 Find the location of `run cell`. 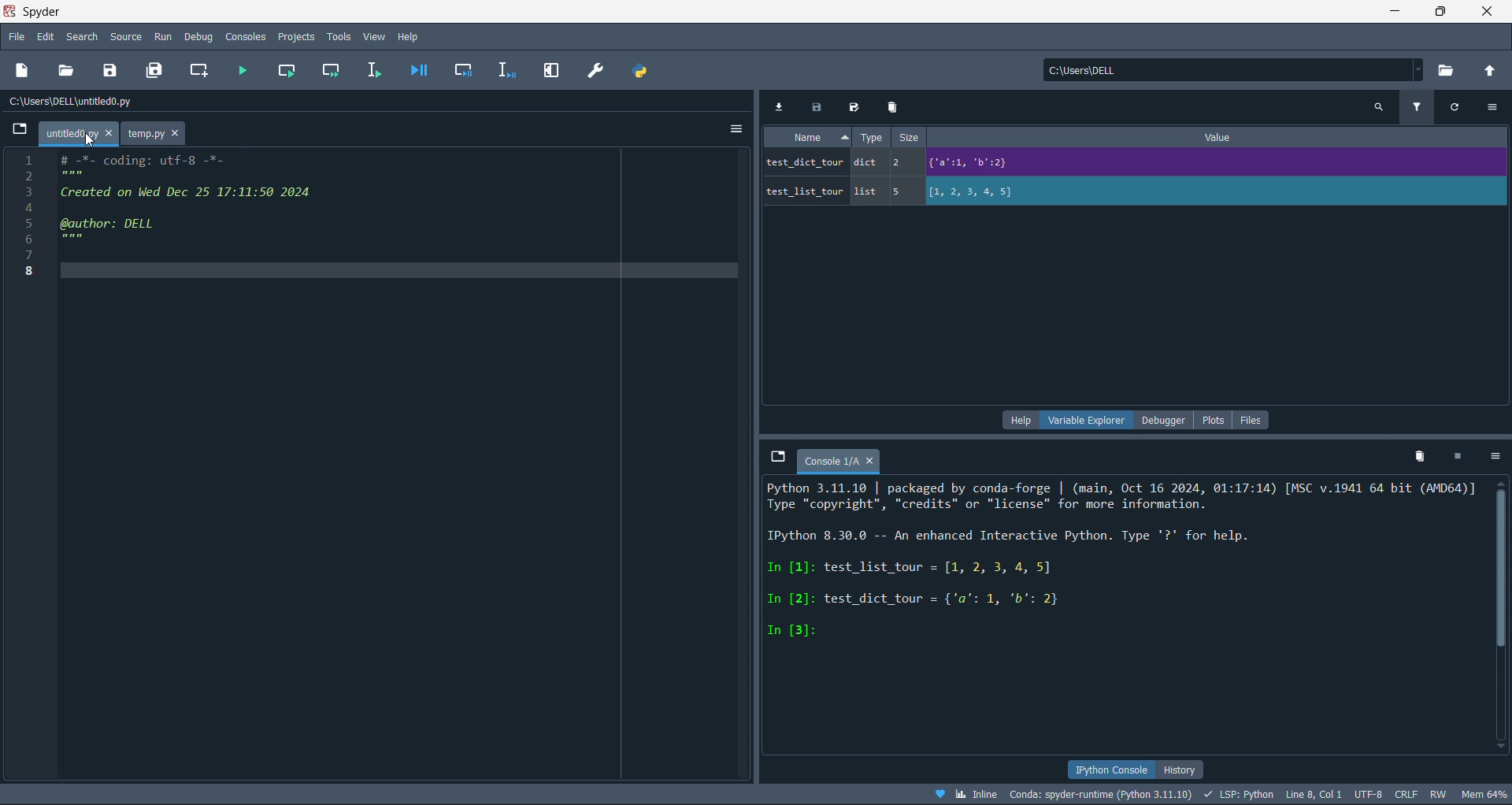

run cell is located at coordinates (286, 69).